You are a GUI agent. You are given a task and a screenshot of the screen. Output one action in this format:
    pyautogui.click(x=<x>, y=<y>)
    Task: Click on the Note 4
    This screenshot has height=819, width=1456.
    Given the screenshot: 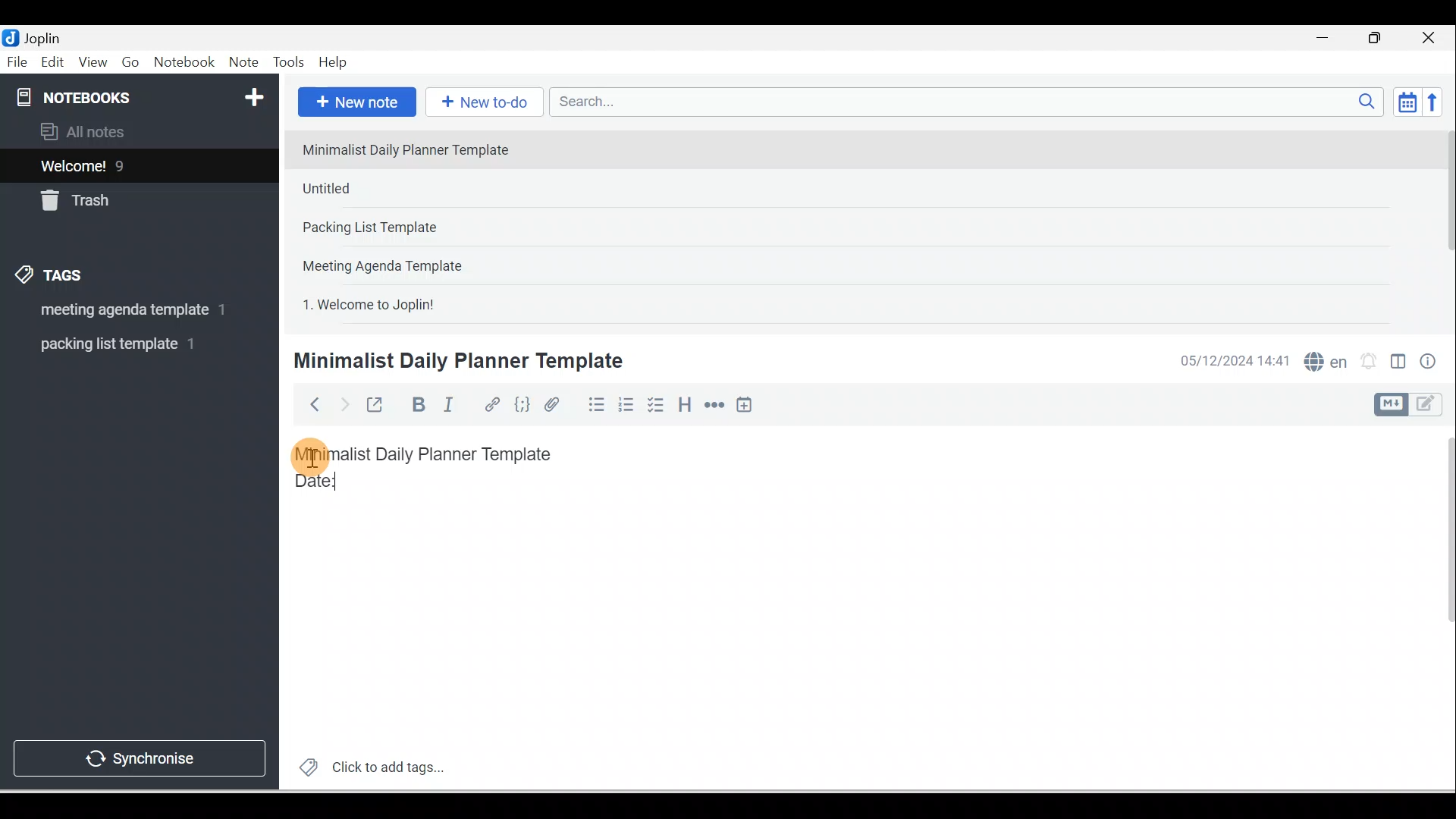 What is the action you would take?
    pyautogui.click(x=403, y=262)
    